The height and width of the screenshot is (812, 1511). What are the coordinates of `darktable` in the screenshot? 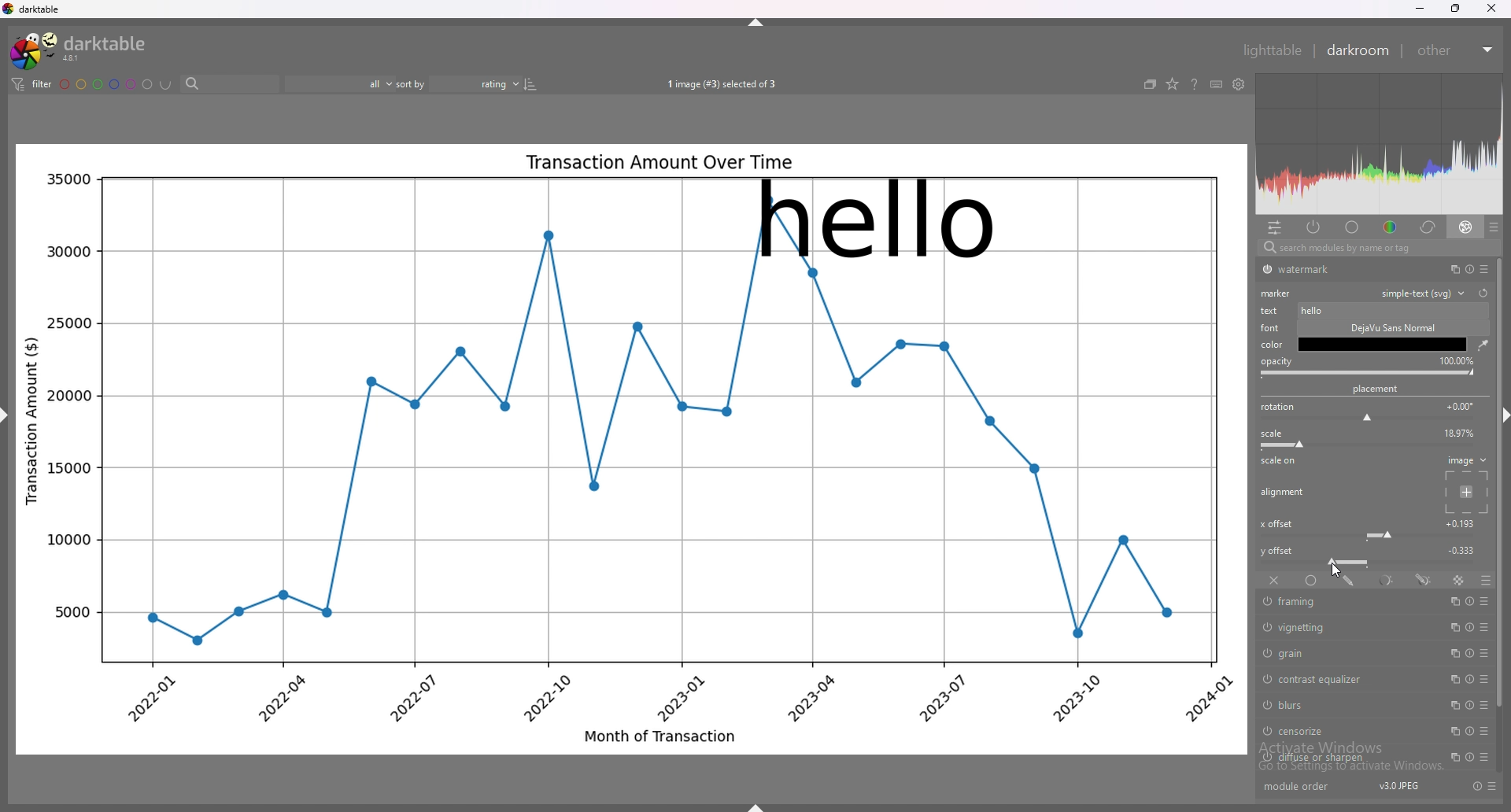 It's located at (34, 9).